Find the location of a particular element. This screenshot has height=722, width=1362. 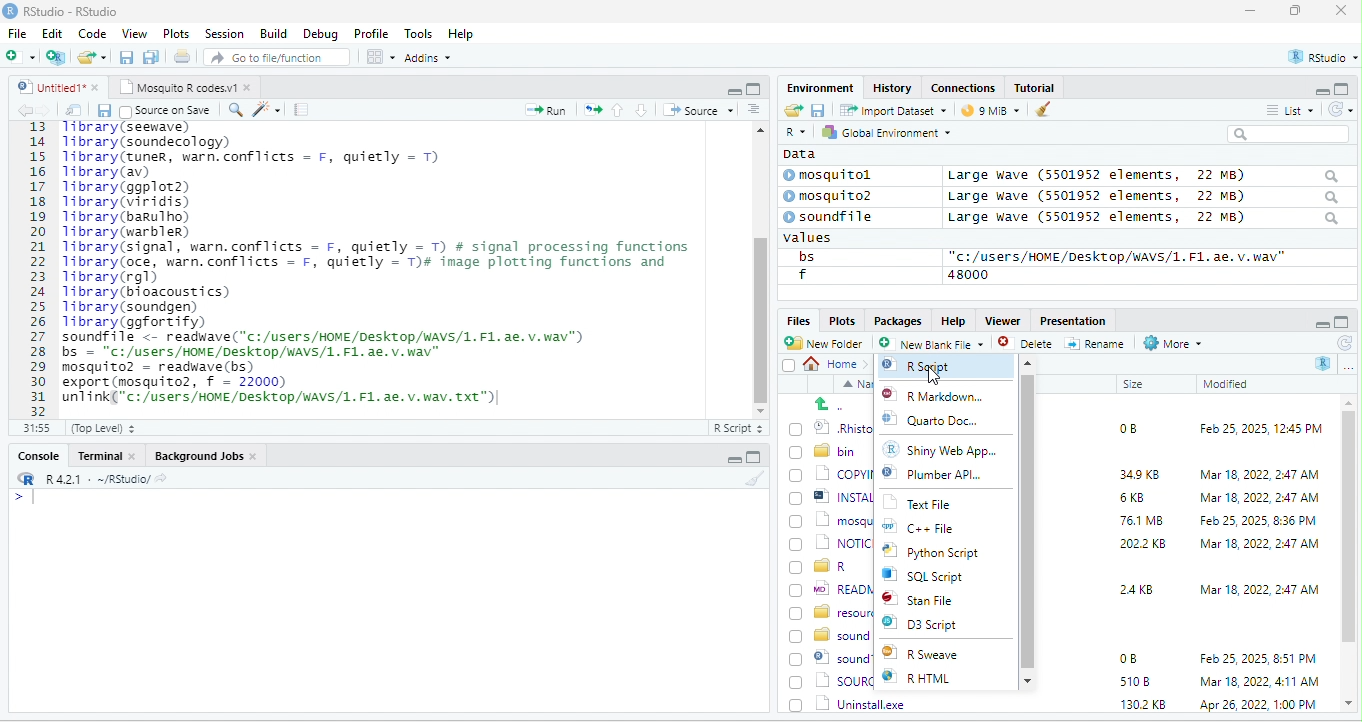

© mosquito? is located at coordinates (834, 194).